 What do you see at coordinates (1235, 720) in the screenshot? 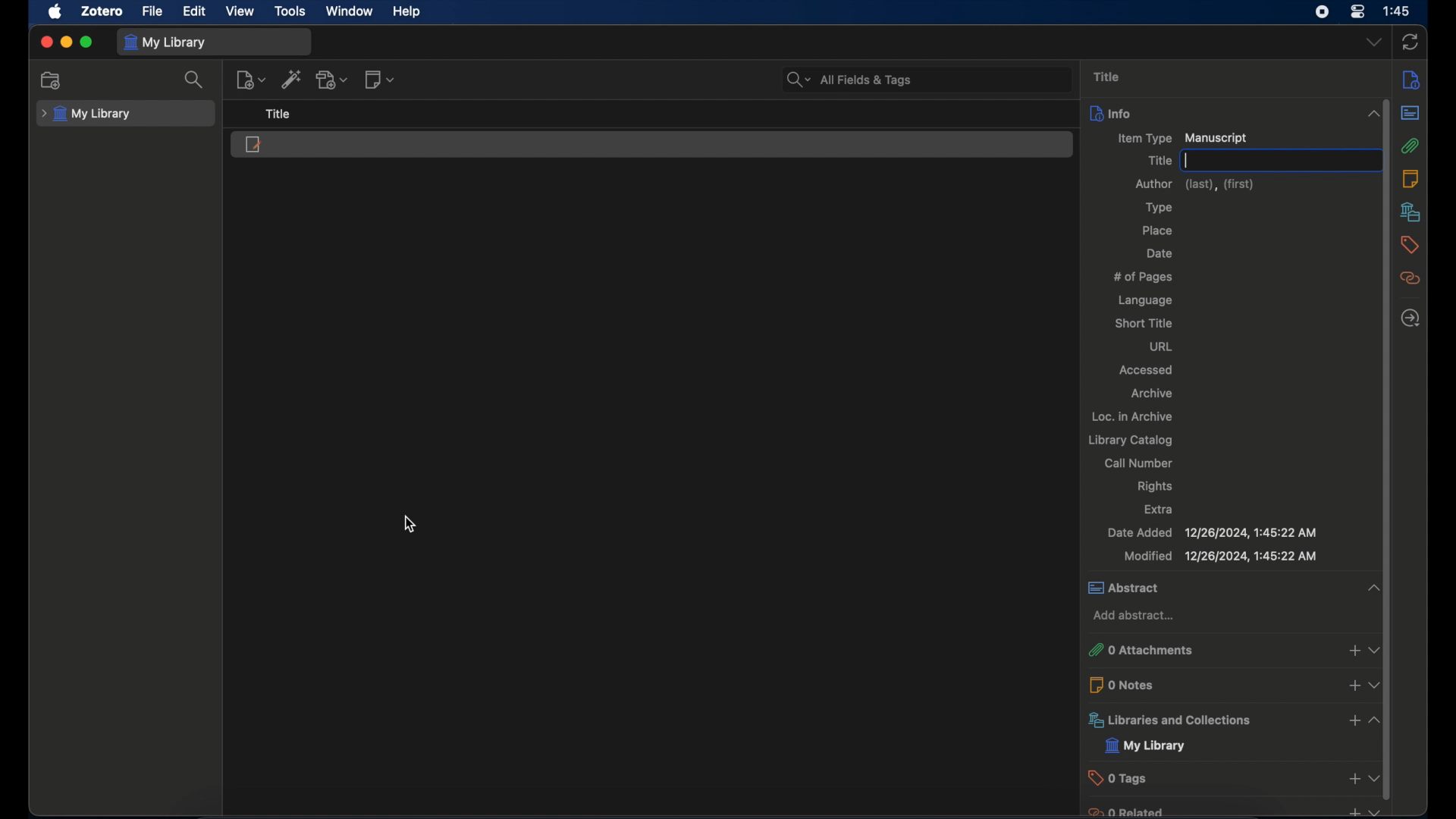
I see `libraries` at bounding box center [1235, 720].